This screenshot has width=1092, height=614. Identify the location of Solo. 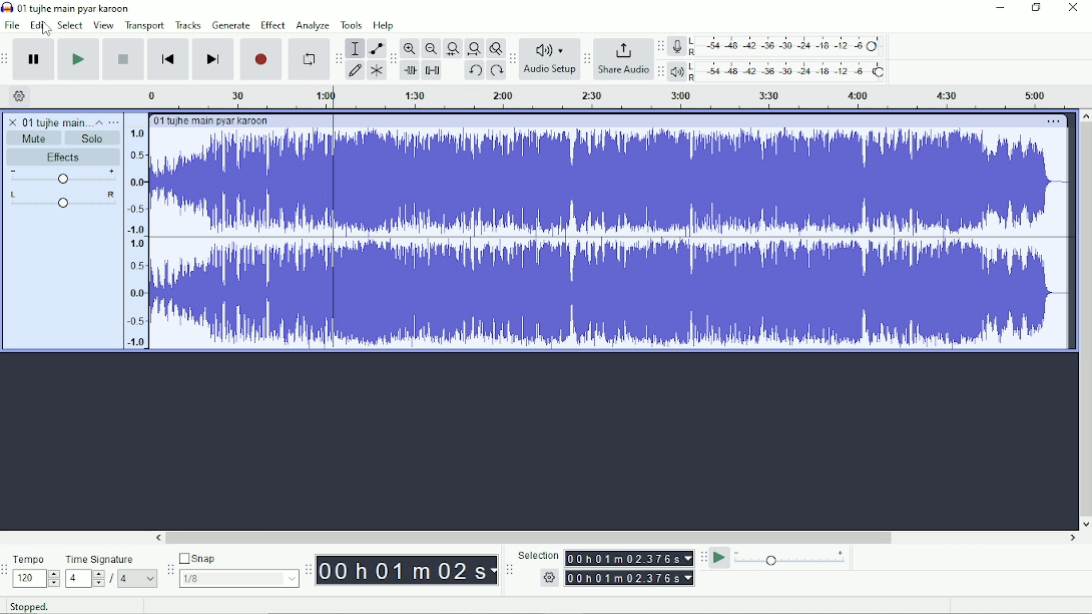
(95, 137).